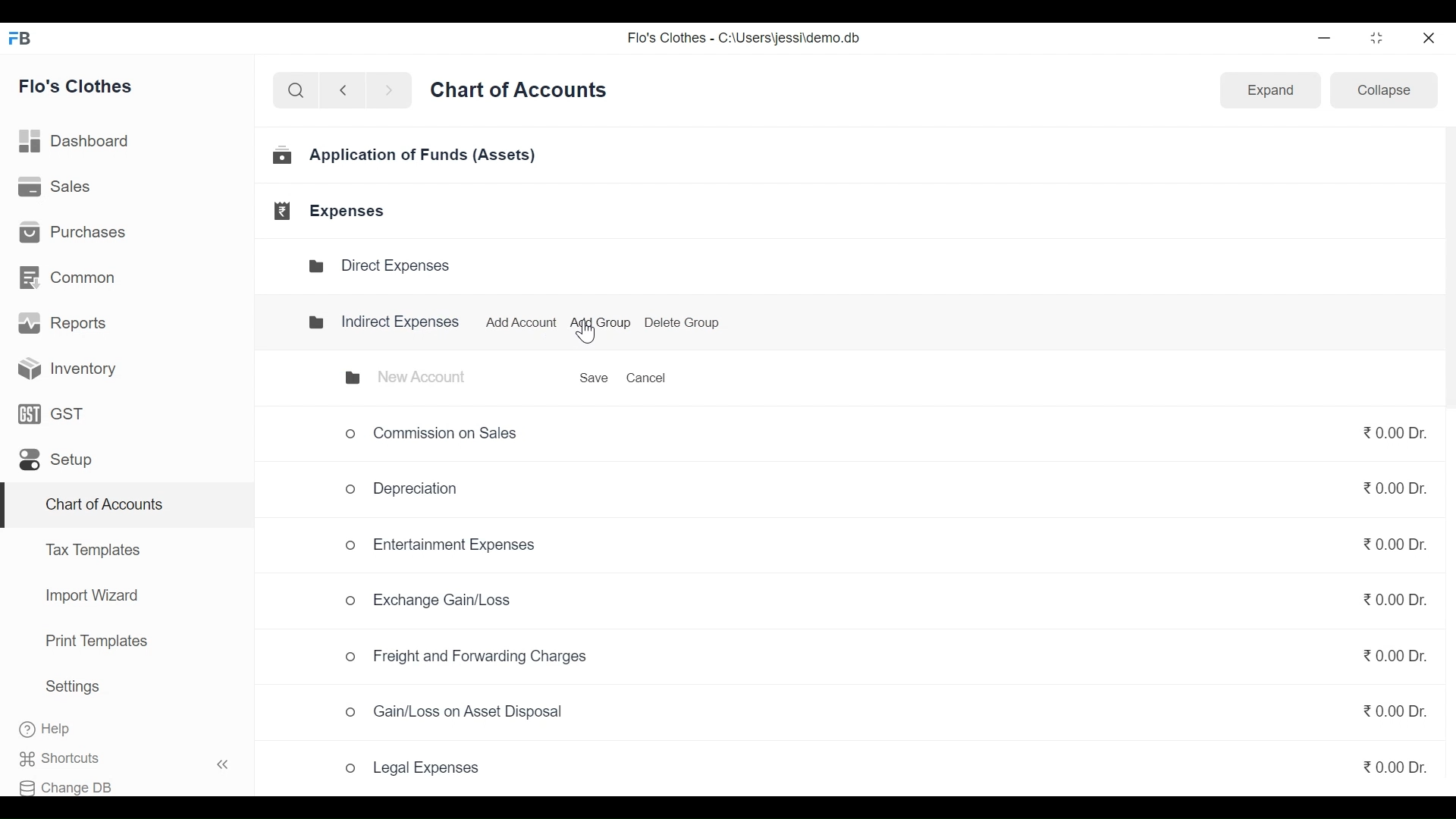 This screenshot has width=1456, height=819. I want to click on Flo's Clothes, so click(83, 87).